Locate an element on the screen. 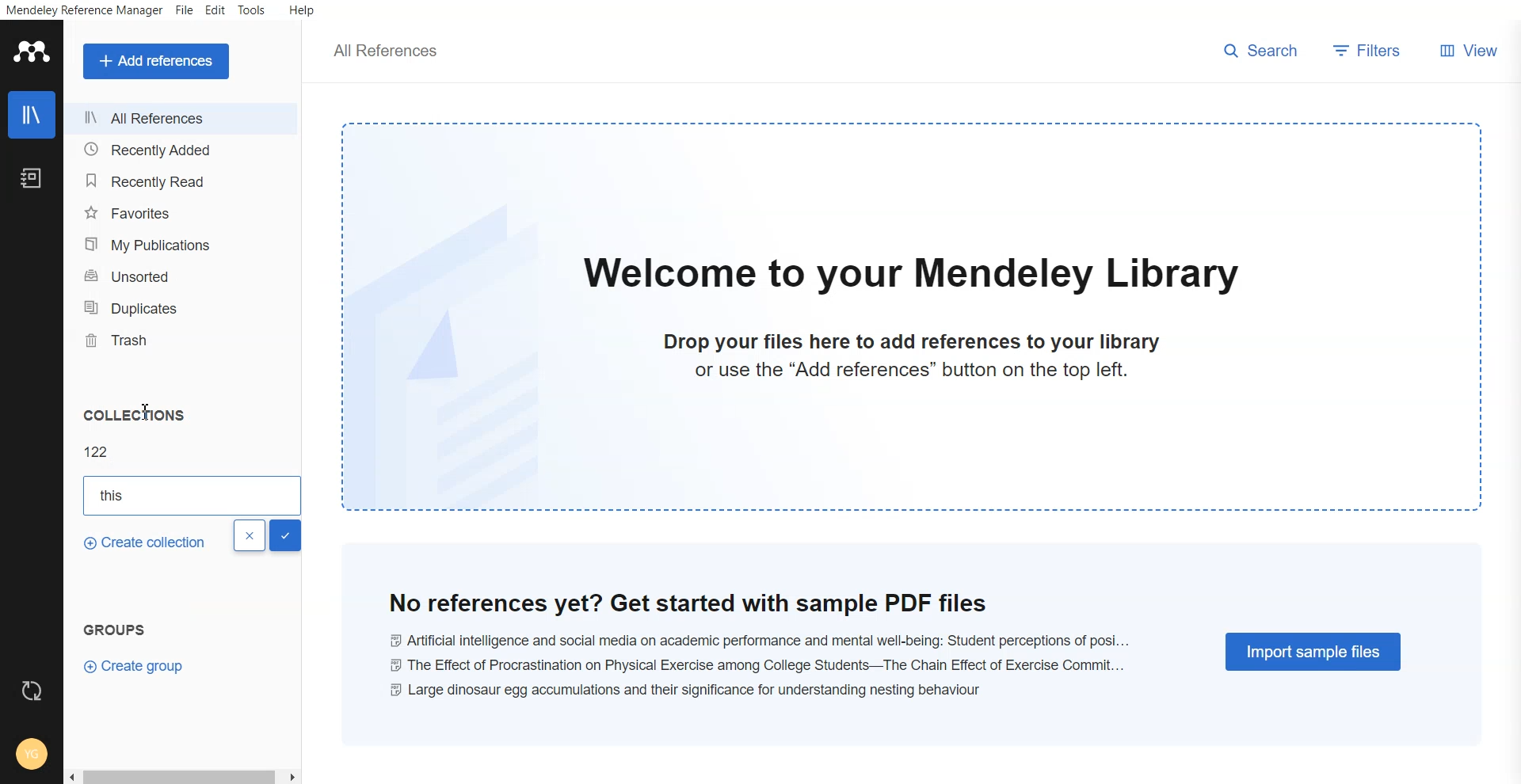 This screenshot has width=1521, height=784. Scroll bar is located at coordinates (181, 777).